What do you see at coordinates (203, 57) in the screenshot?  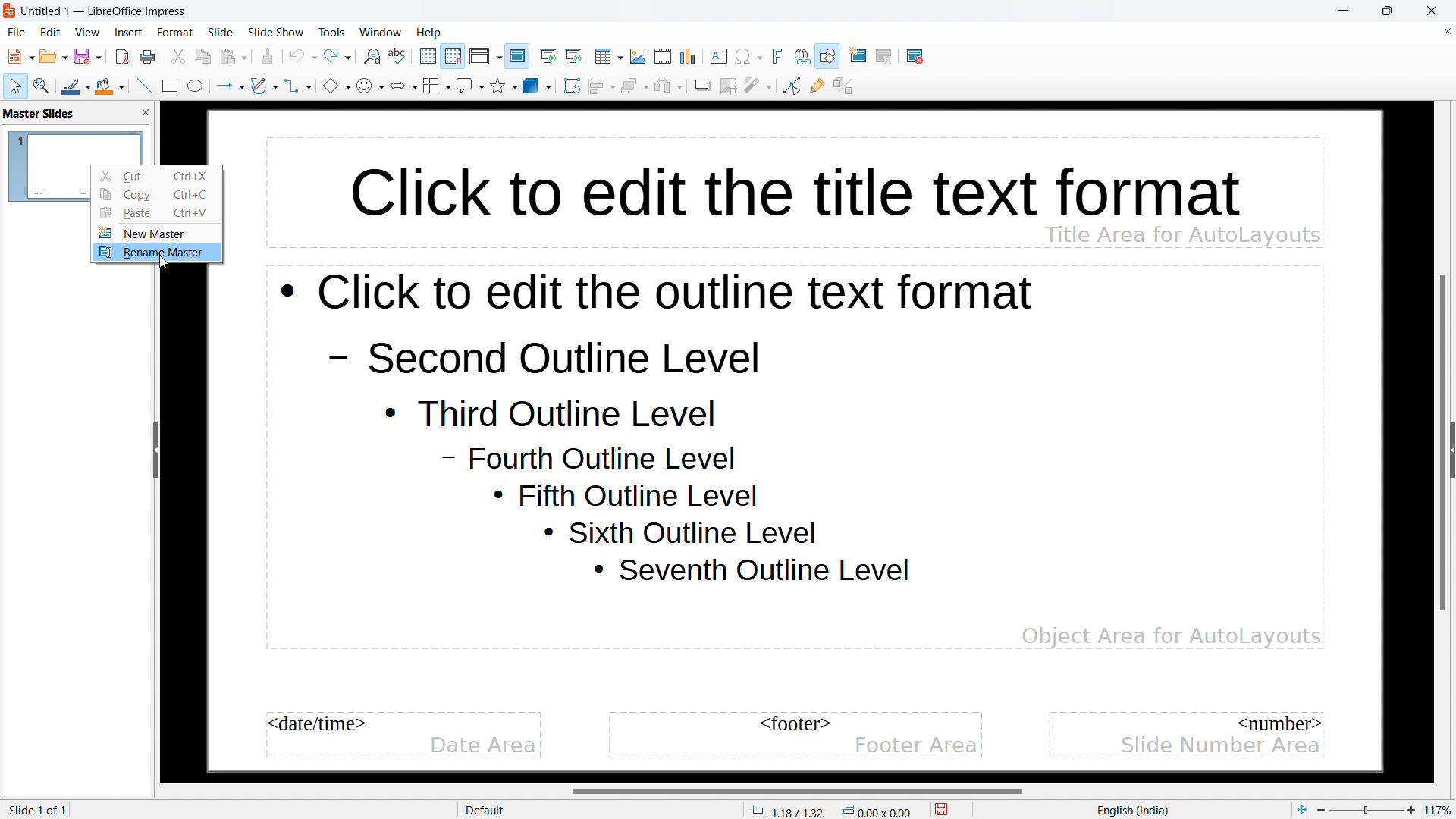 I see `copy` at bounding box center [203, 57].